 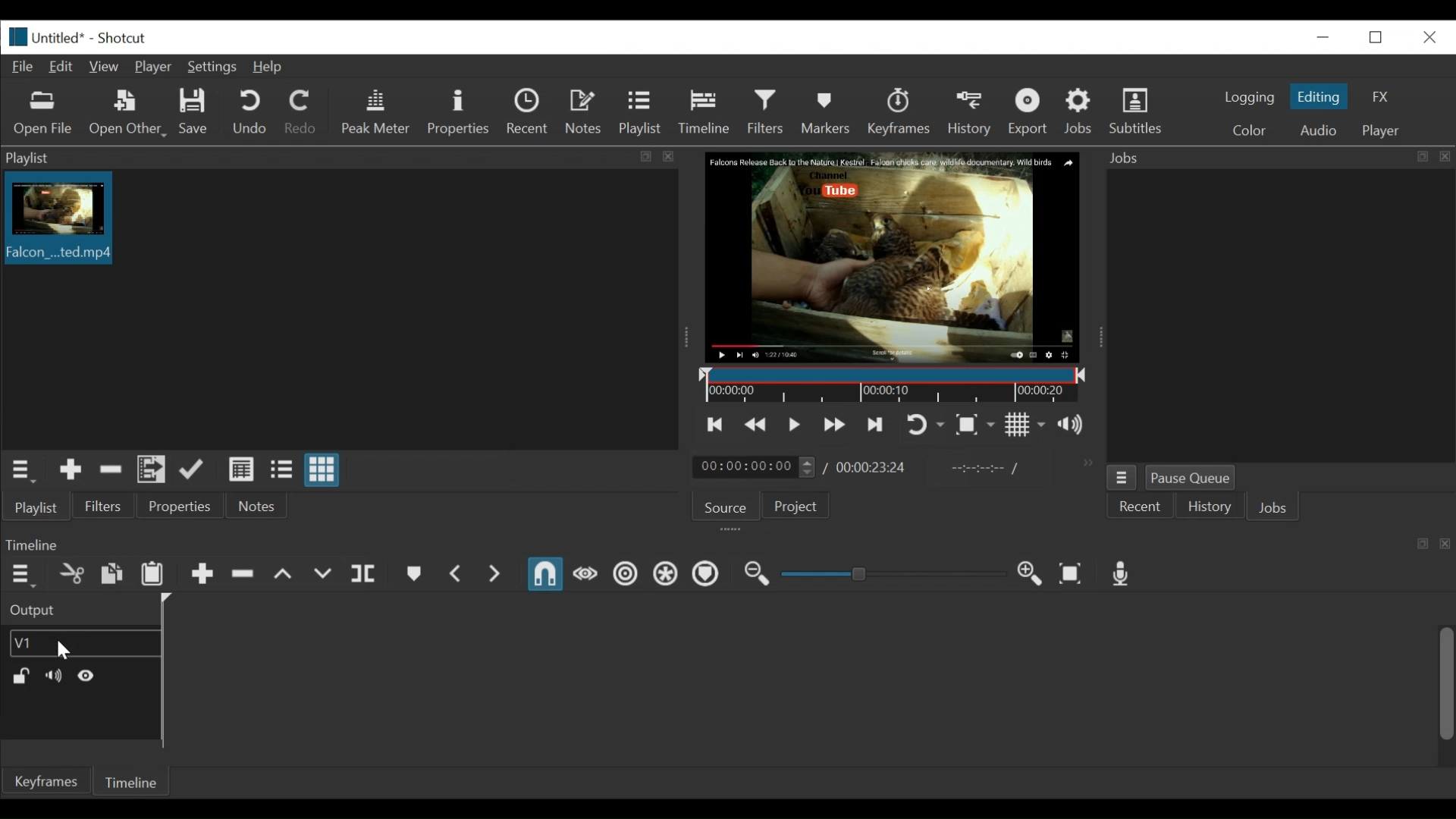 I want to click on Timeline Panel, so click(x=726, y=546).